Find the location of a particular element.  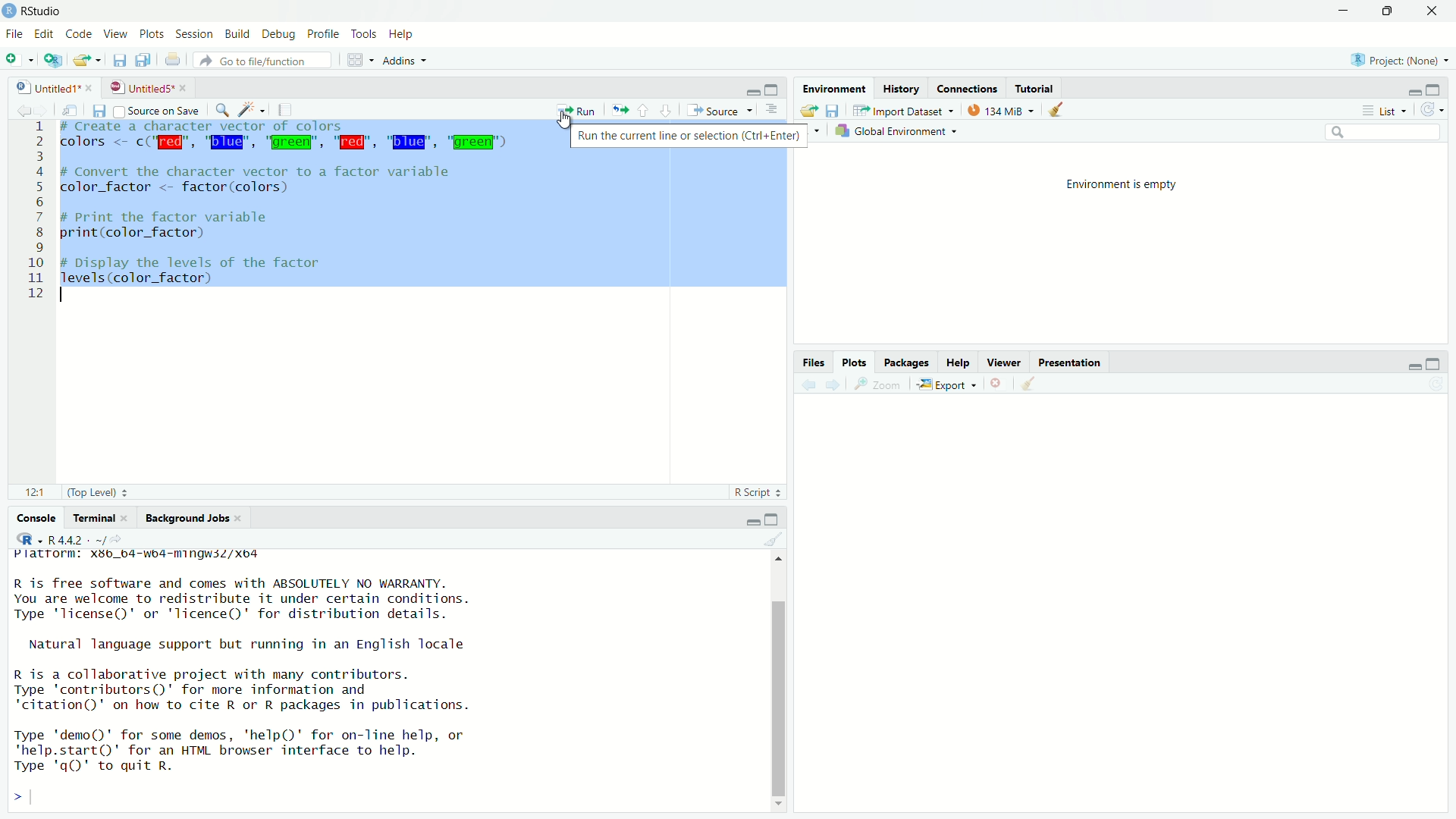

save current document is located at coordinates (99, 111).